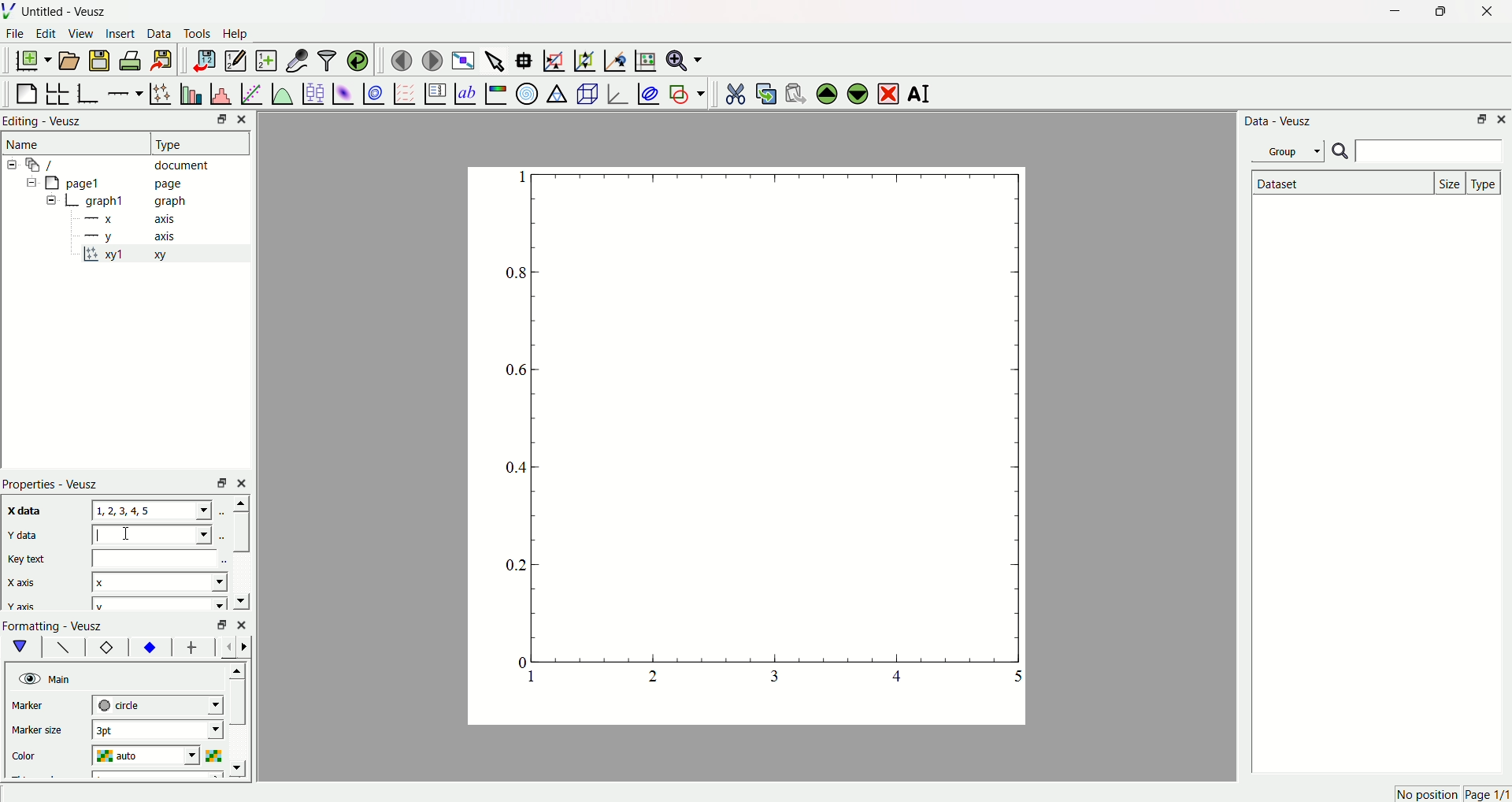 Image resolution: width=1512 pixels, height=802 pixels. Describe the element at coordinates (106, 648) in the screenshot. I see `border` at that location.